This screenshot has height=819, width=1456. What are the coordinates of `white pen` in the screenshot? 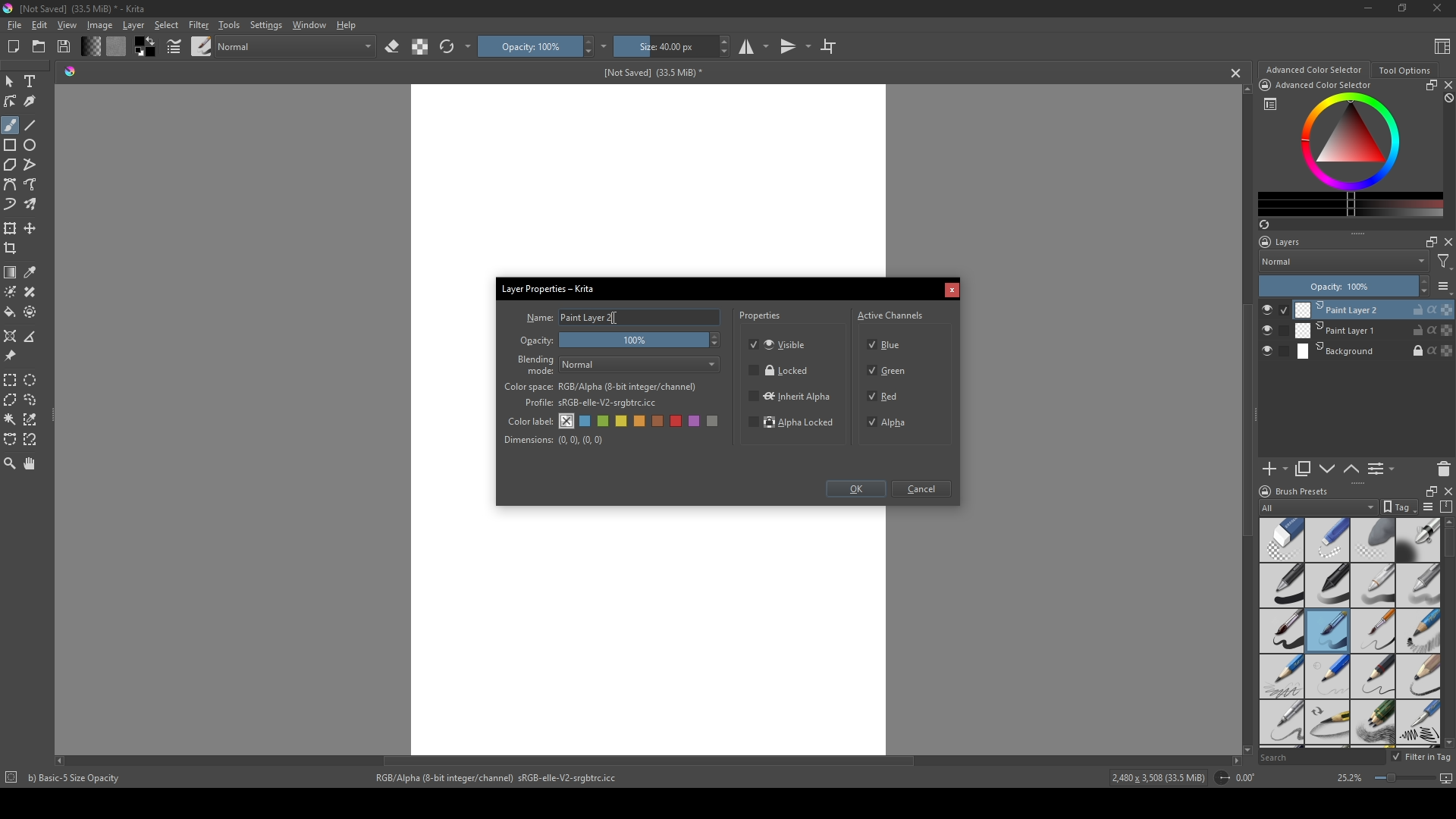 It's located at (1373, 585).